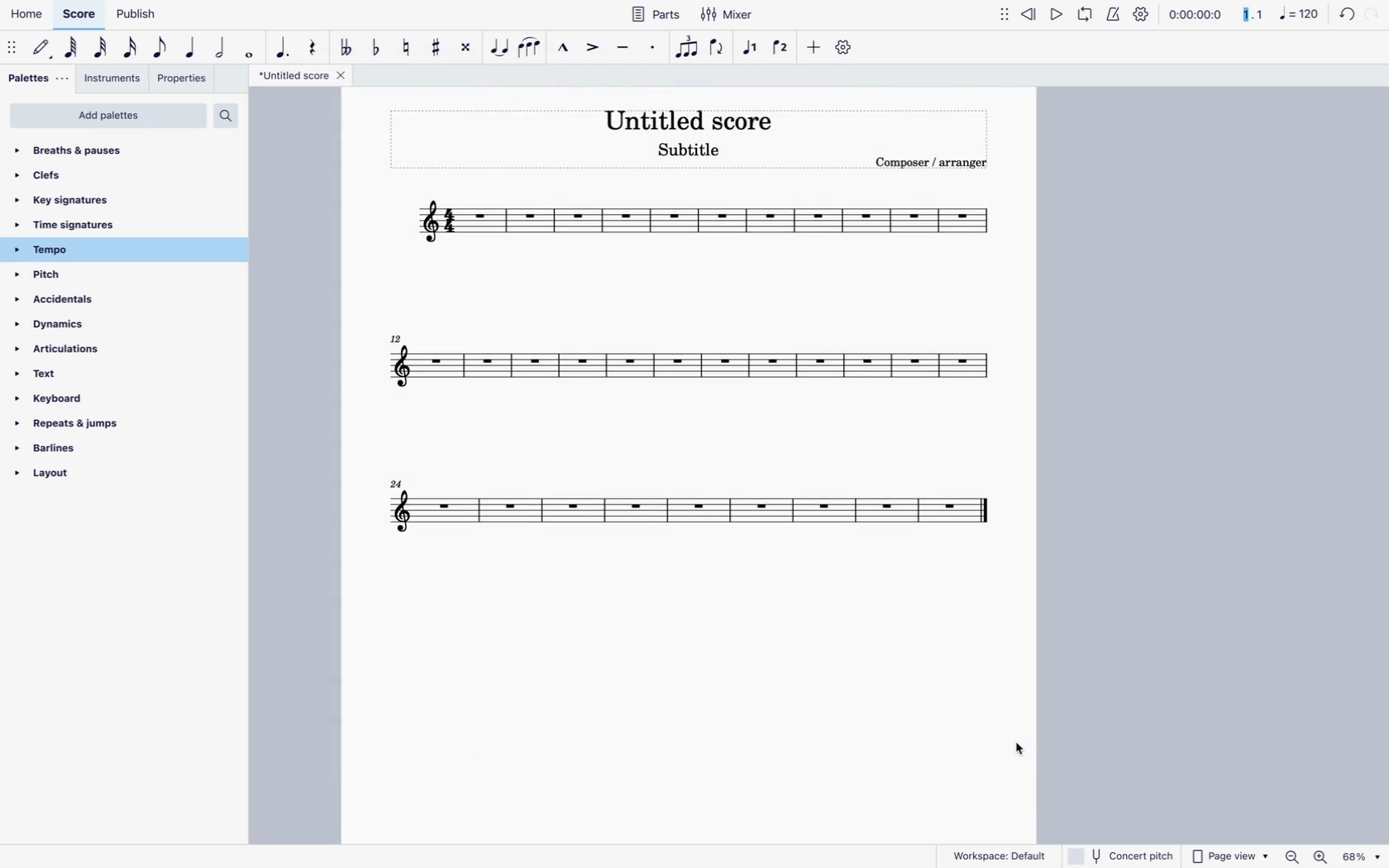 This screenshot has width=1389, height=868. I want to click on 32nd note, so click(102, 48).